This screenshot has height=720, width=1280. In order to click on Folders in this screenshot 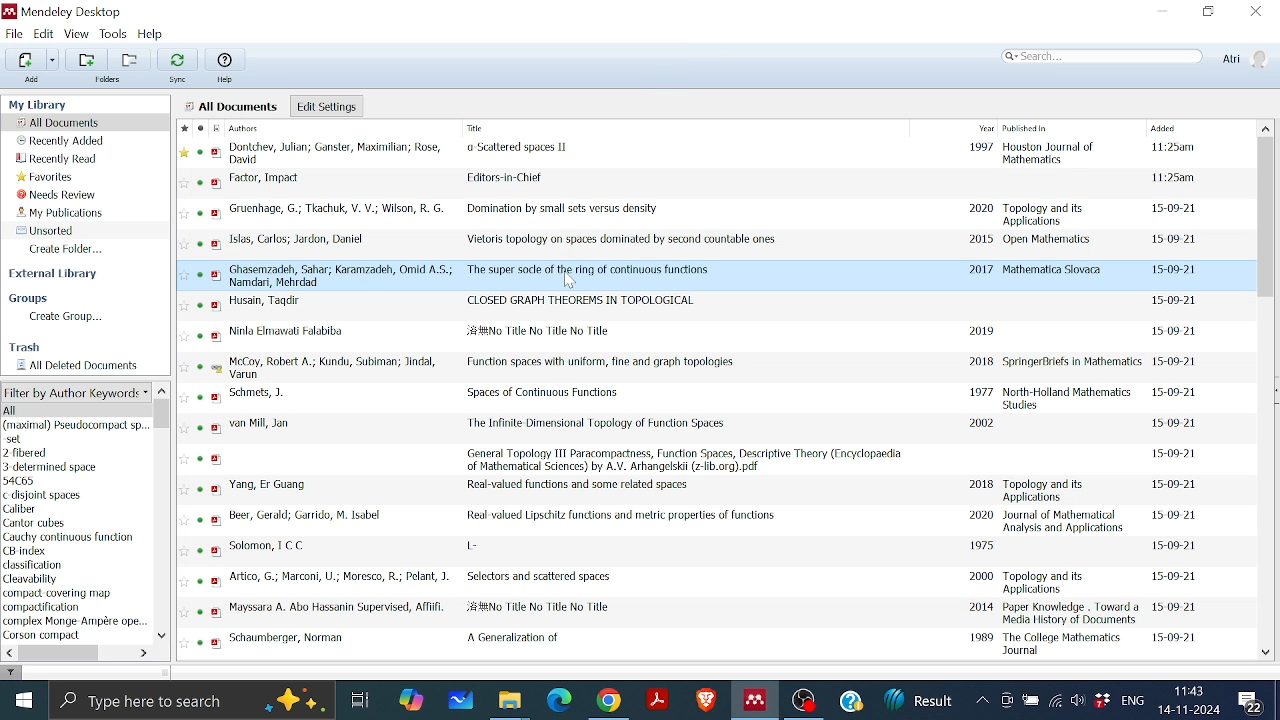, I will do `click(110, 80)`.